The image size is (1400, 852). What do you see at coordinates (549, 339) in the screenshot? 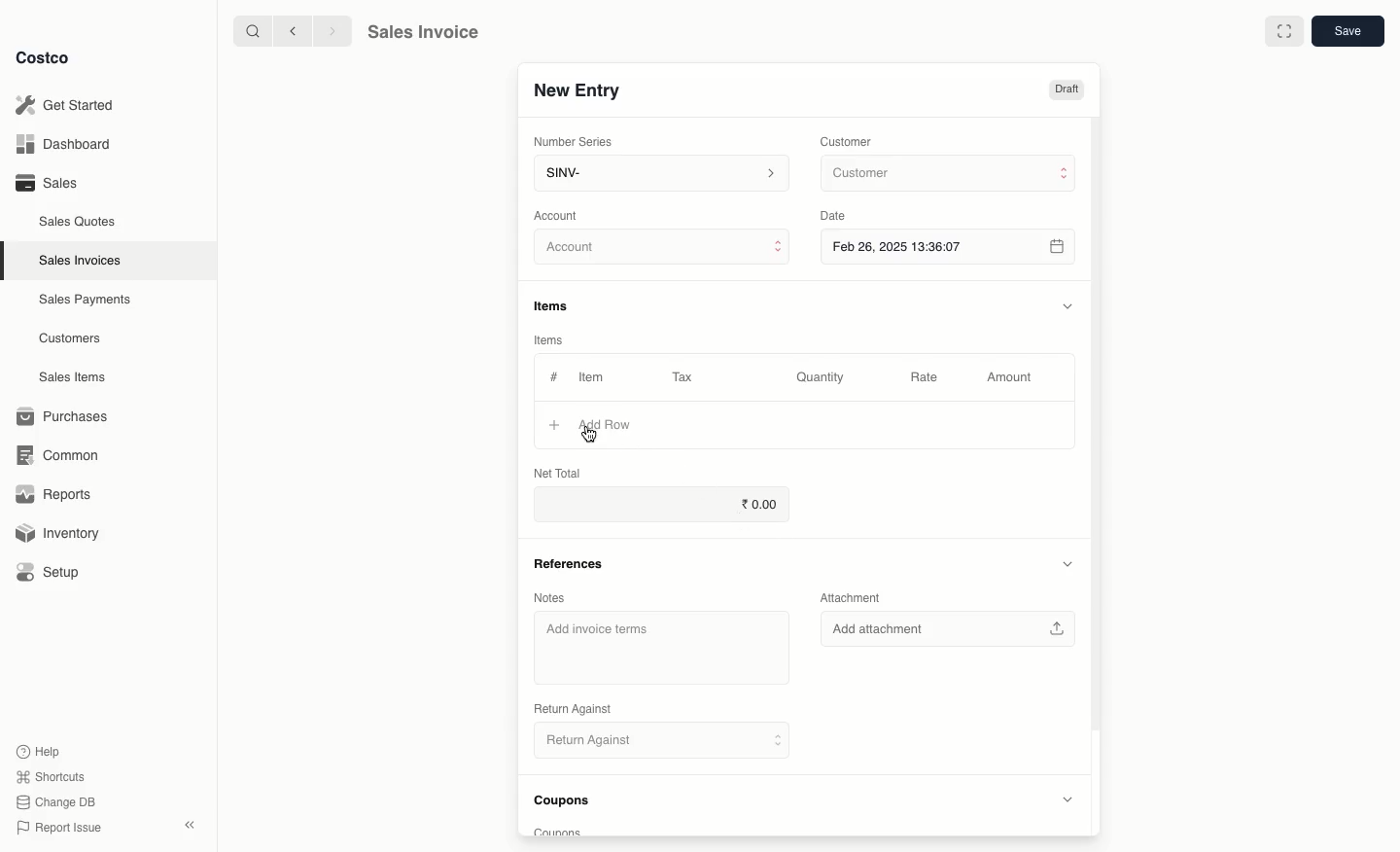
I see `Items` at bounding box center [549, 339].